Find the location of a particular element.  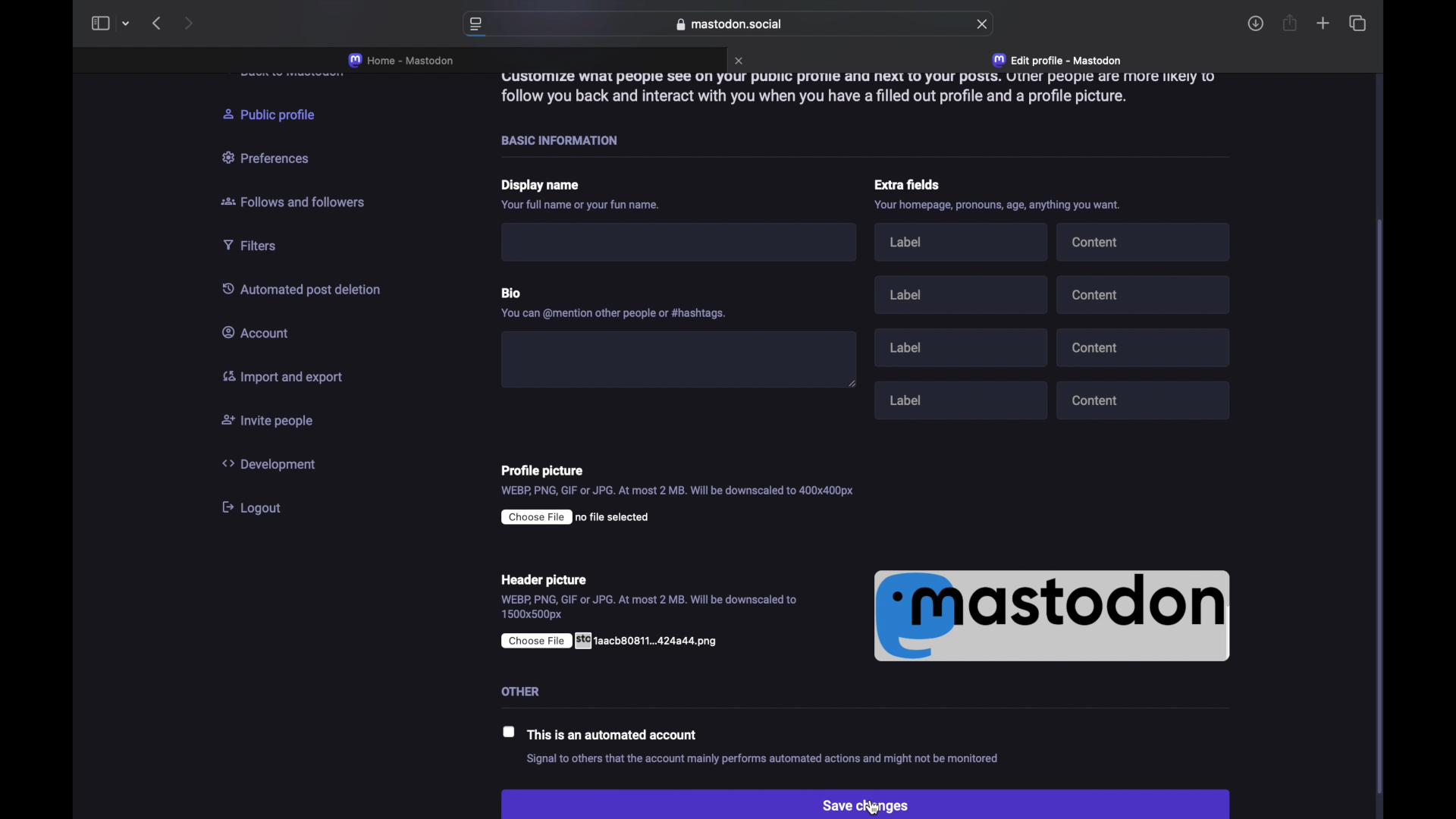

web address is located at coordinates (729, 24).